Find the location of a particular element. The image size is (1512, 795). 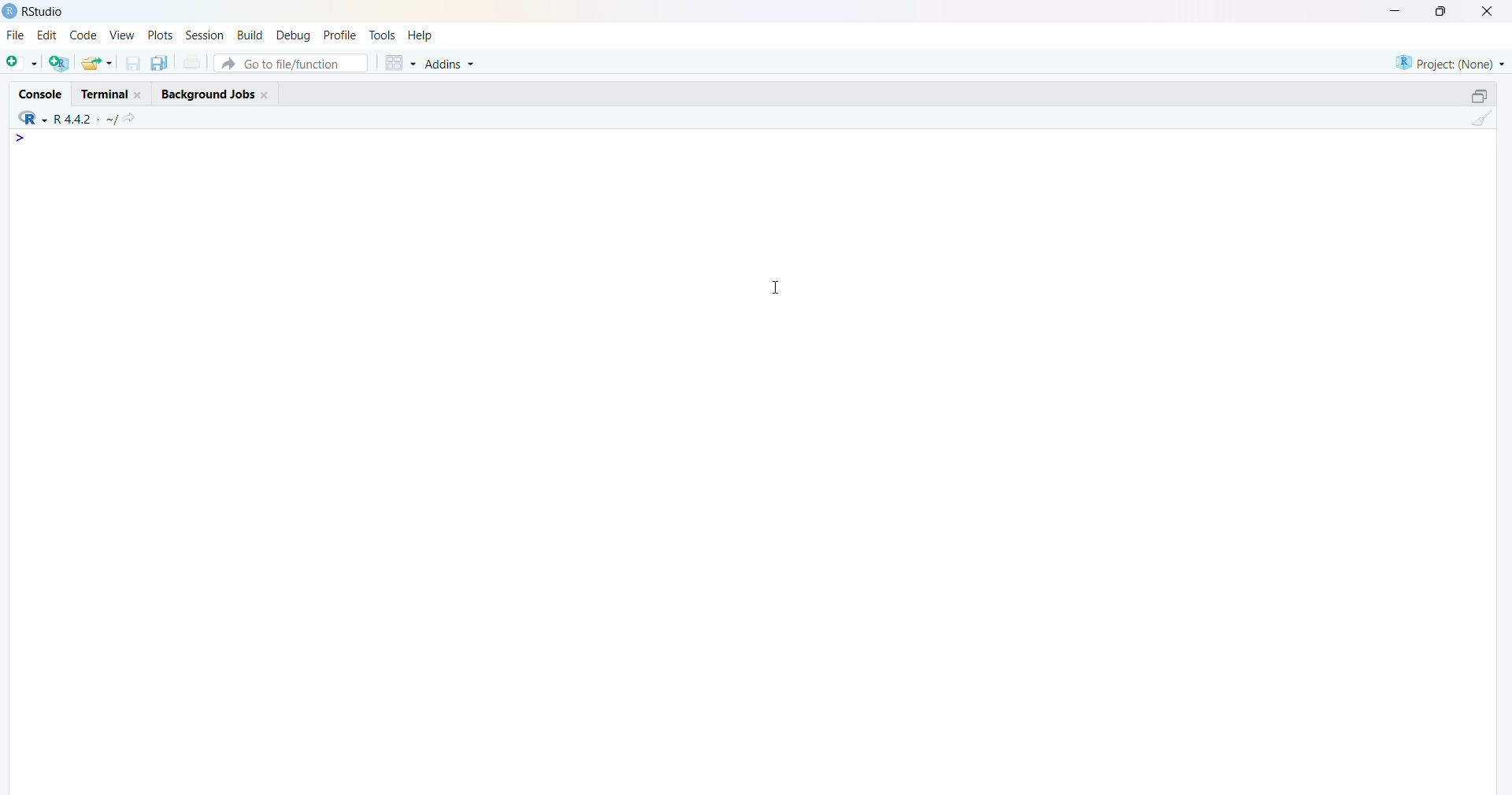

RStudio is located at coordinates (43, 12).